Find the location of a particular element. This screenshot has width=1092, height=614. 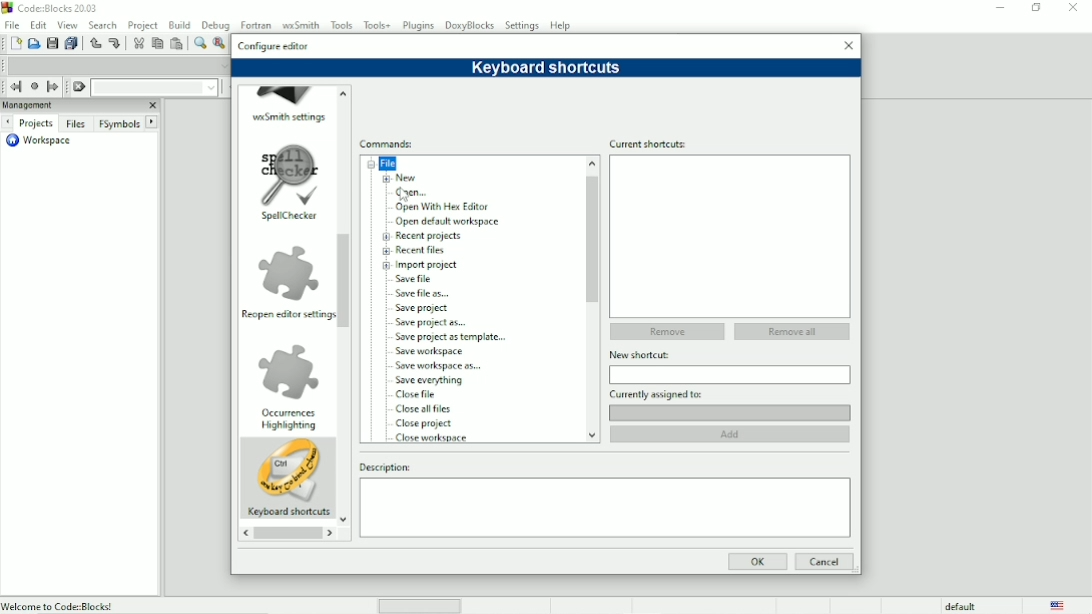

Build is located at coordinates (179, 25).